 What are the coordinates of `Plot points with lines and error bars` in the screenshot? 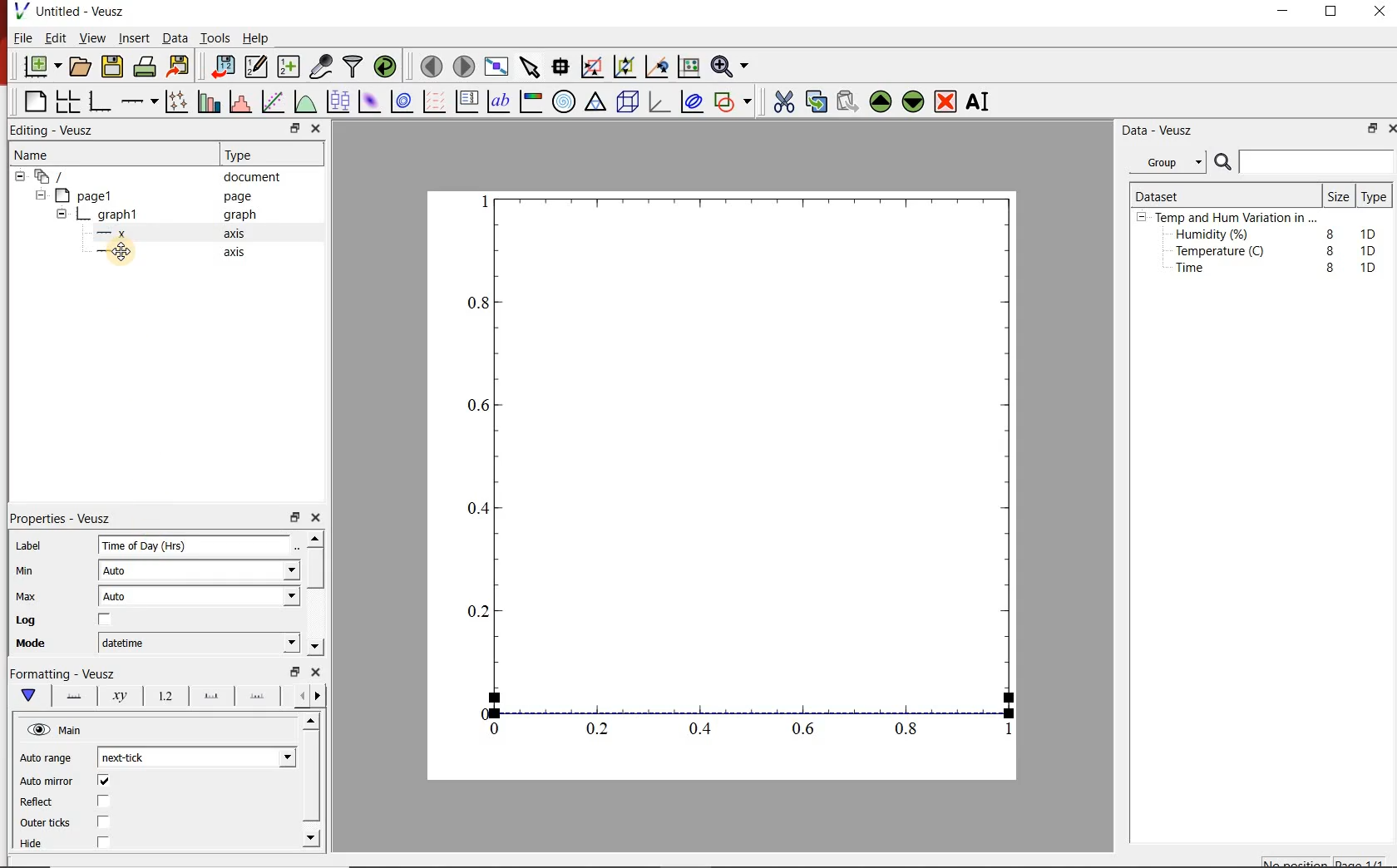 It's located at (176, 100).